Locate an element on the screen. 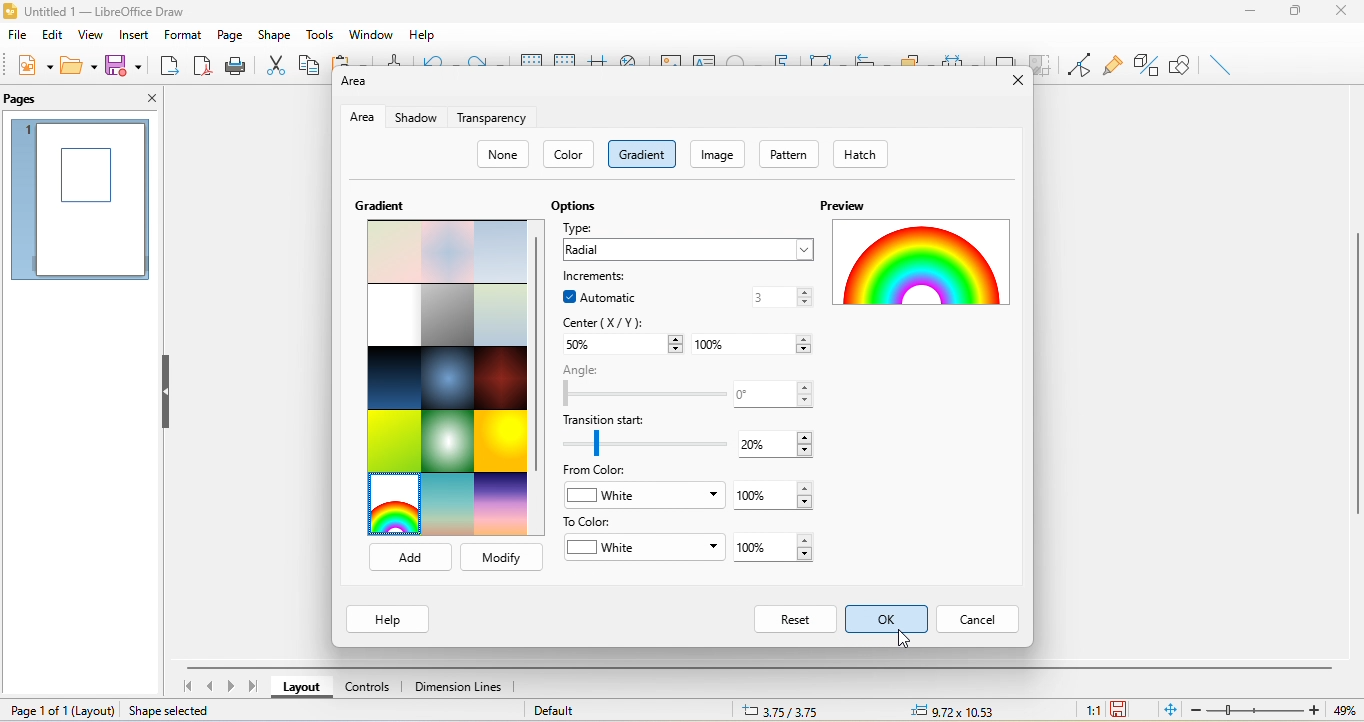 The image size is (1364, 722). insert is located at coordinates (134, 37).